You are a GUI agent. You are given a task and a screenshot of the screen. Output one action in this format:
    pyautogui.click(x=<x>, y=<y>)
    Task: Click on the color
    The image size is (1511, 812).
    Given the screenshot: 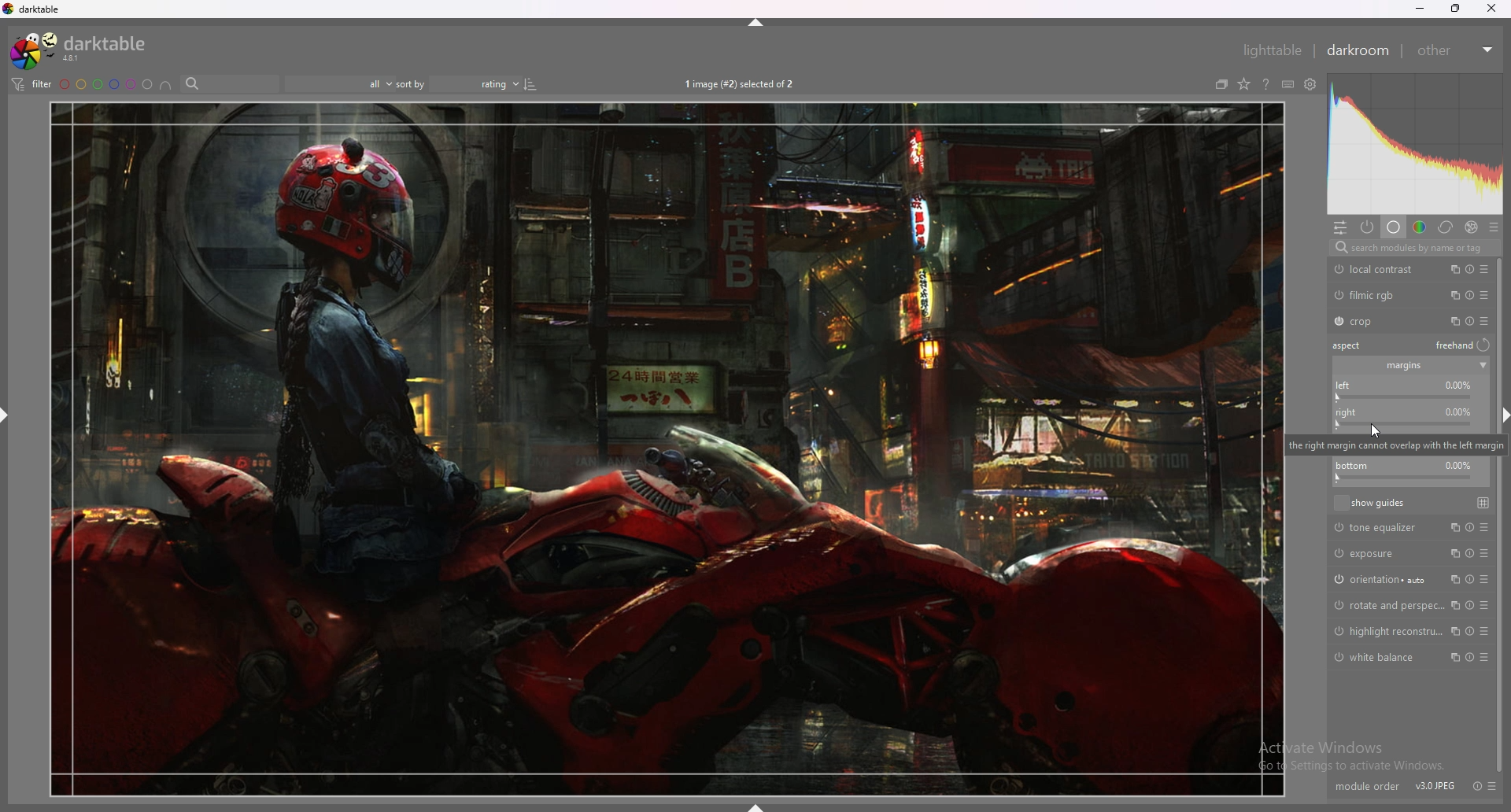 What is the action you would take?
    pyautogui.click(x=1420, y=227)
    